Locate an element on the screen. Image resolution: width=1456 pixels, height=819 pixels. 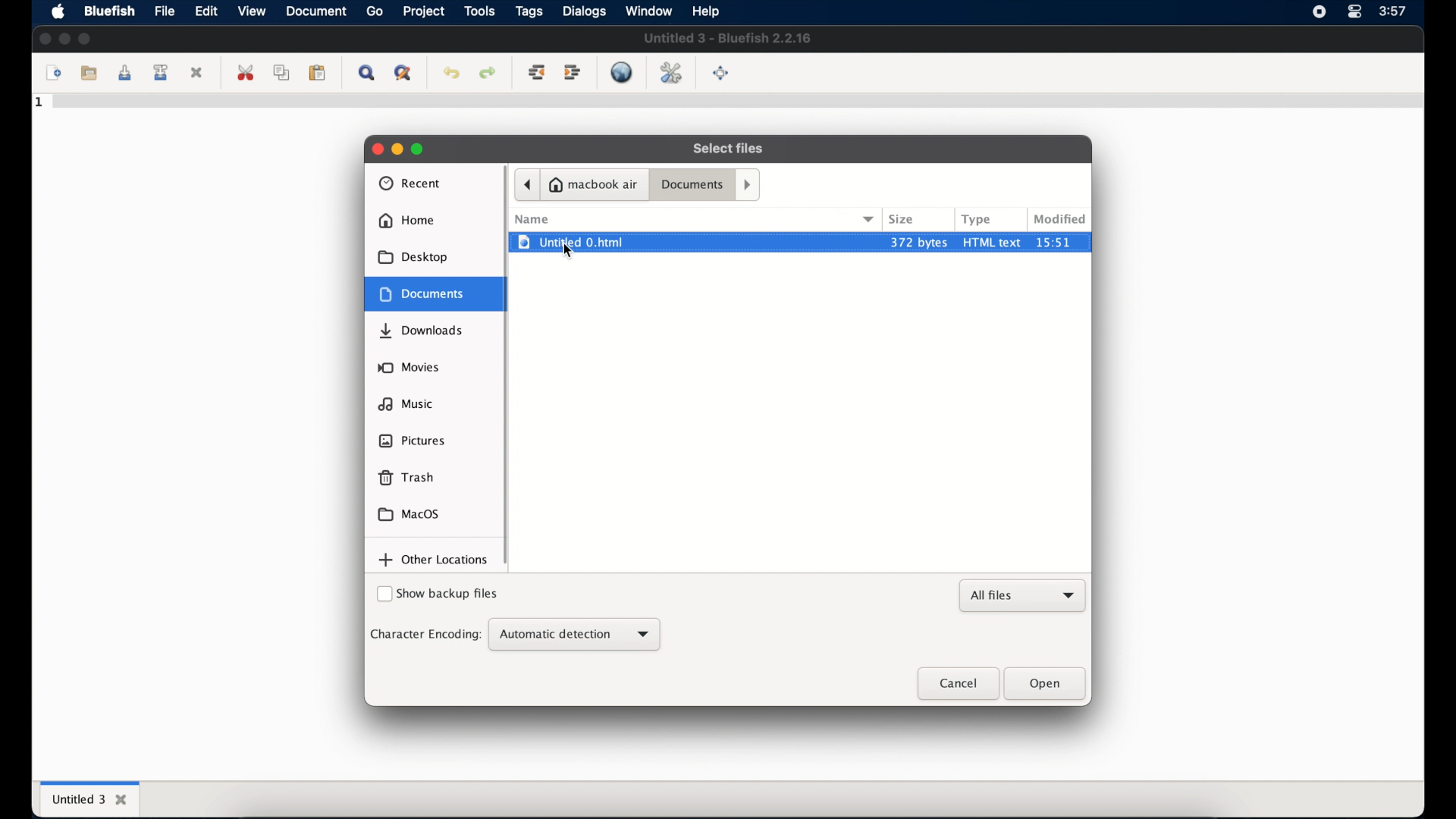
372 bytes is located at coordinates (918, 241).